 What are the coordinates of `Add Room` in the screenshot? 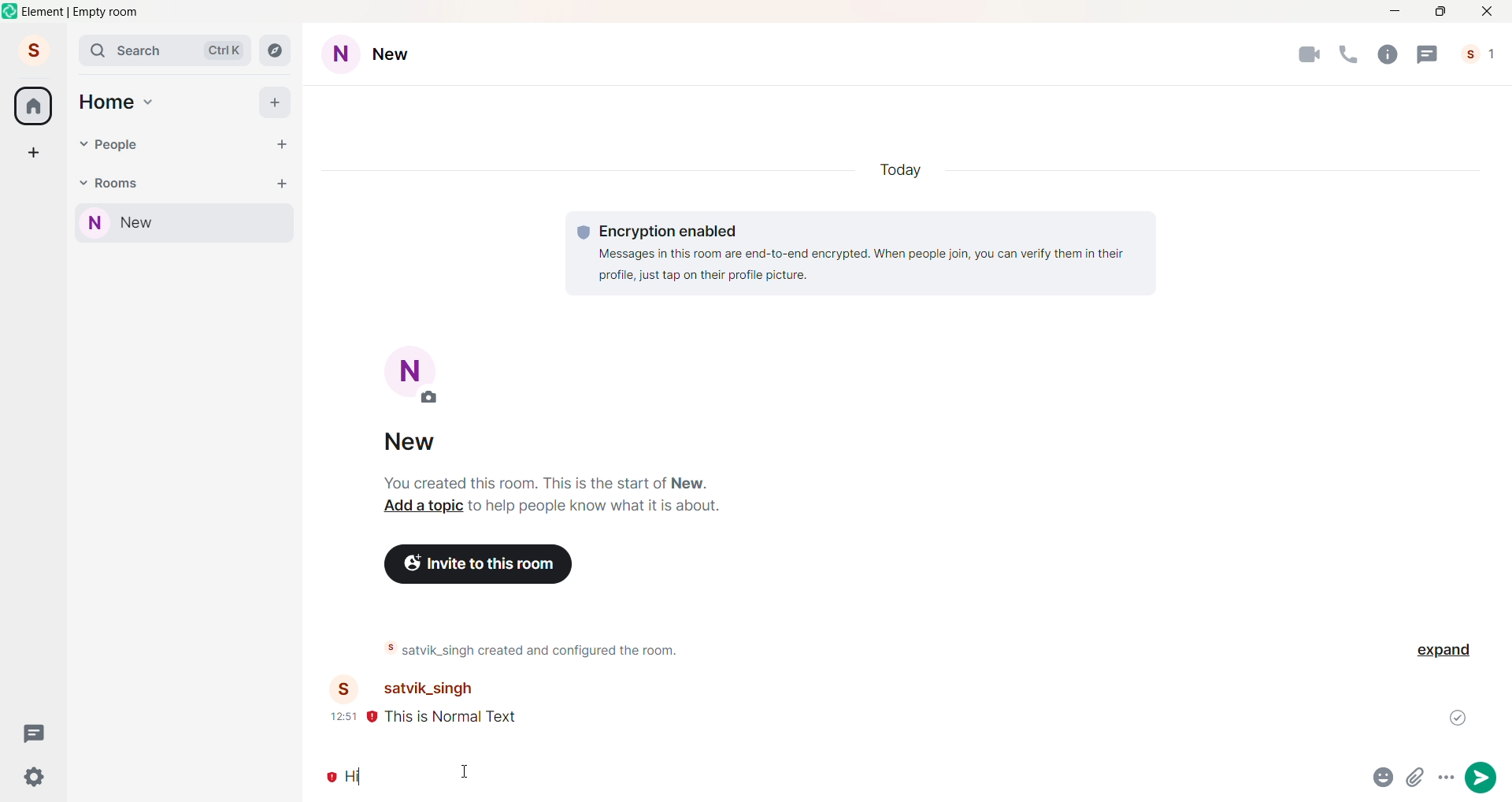 It's located at (283, 182).